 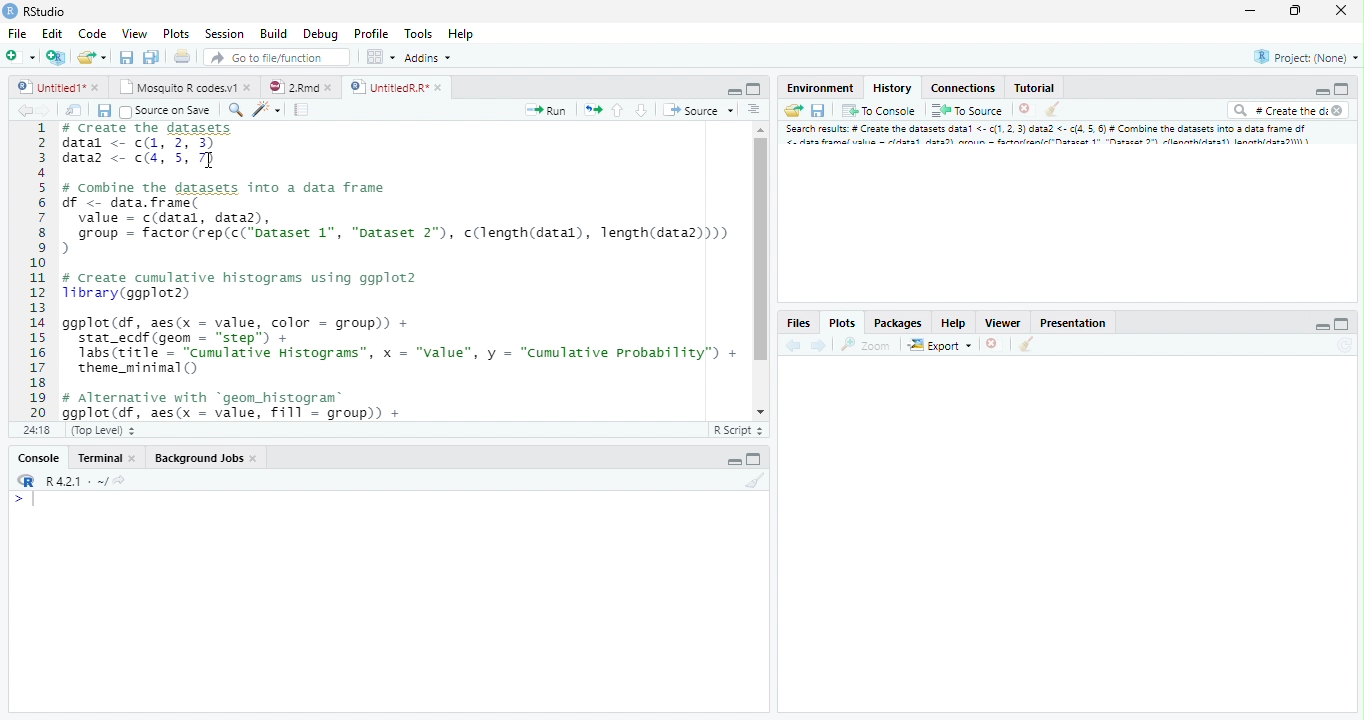 What do you see at coordinates (1035, 88) in the screenshot?
I see `Tutorial` at bounding box center [1035, 88].